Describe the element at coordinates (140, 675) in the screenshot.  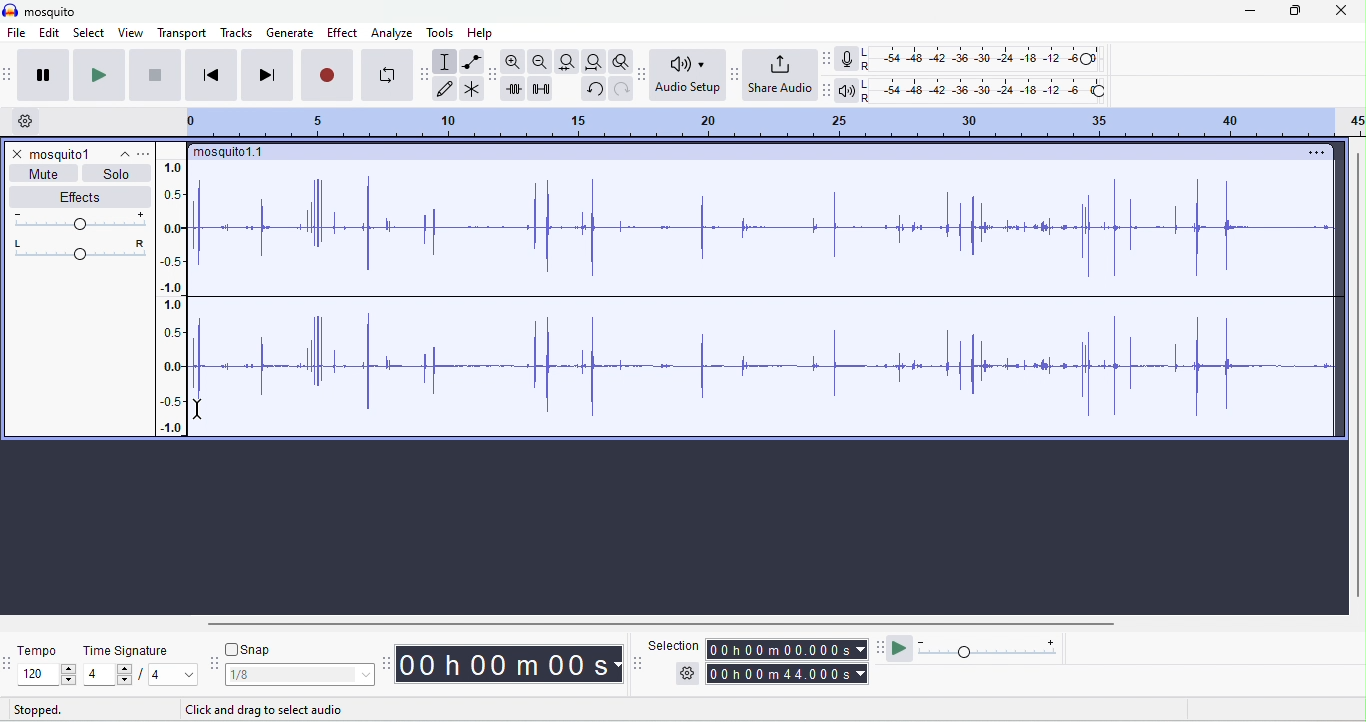
I see `select time signature` at that location.